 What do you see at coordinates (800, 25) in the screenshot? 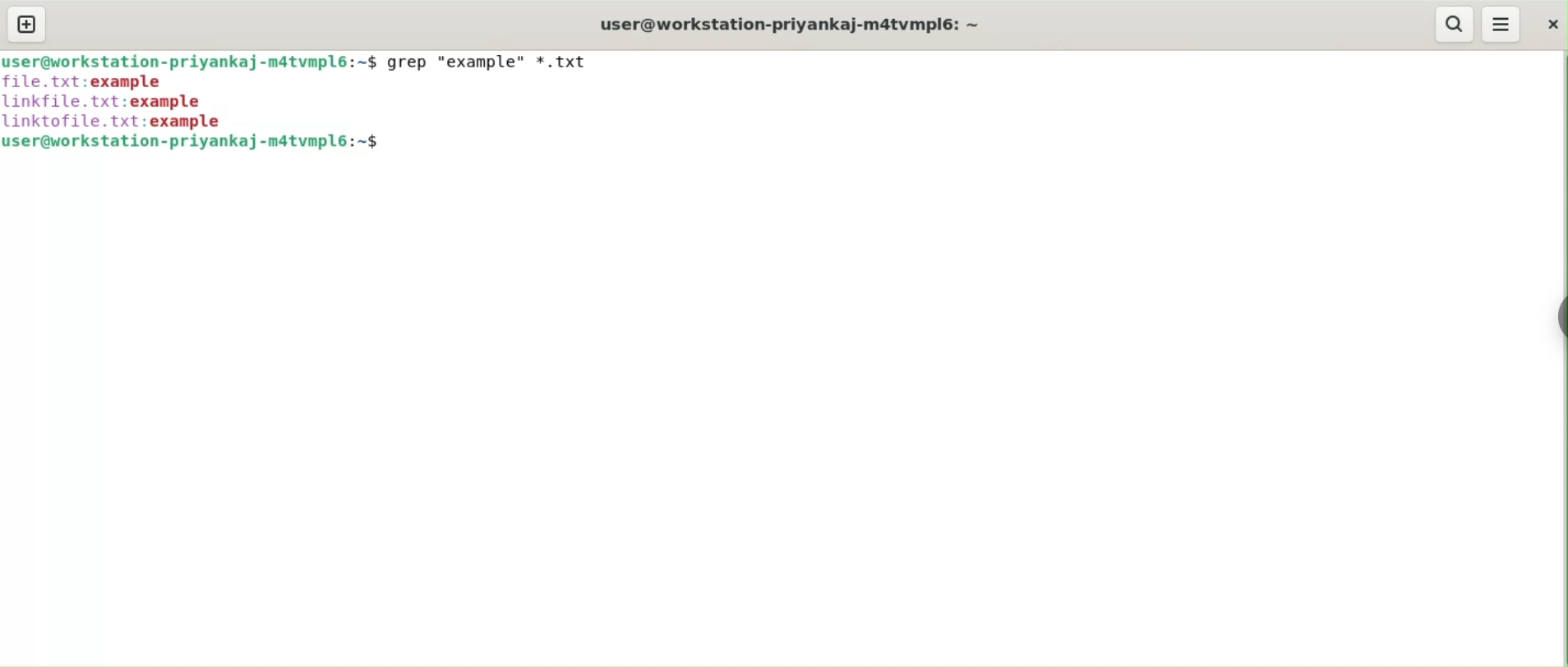
I see `user@workstation-privankaj-m4atvmplé6: ~` at bounding box center [800, 25].